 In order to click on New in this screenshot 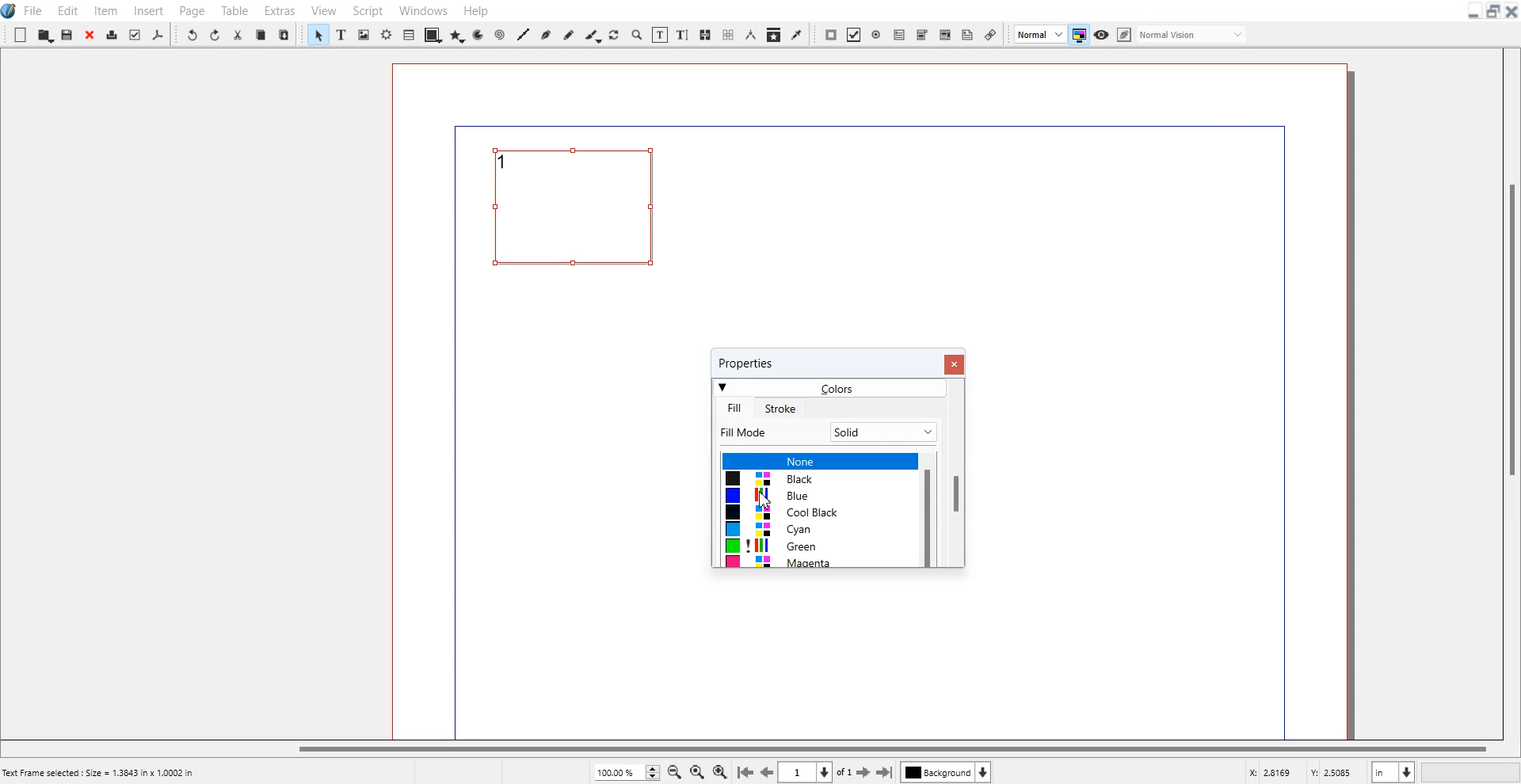, I will do `click(20, 35)`.